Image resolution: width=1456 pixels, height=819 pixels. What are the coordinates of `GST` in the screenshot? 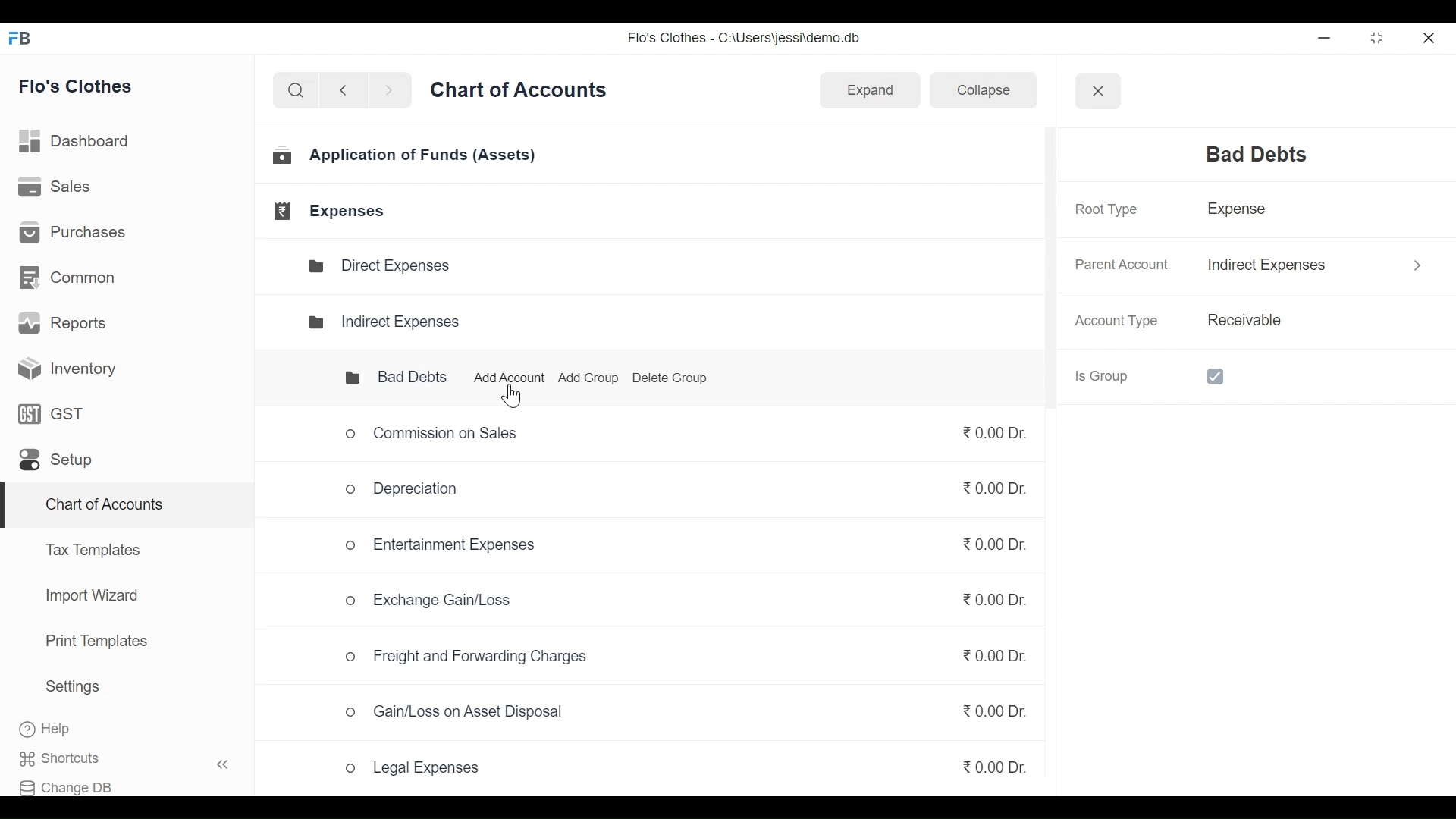 It's located at (52, 416).